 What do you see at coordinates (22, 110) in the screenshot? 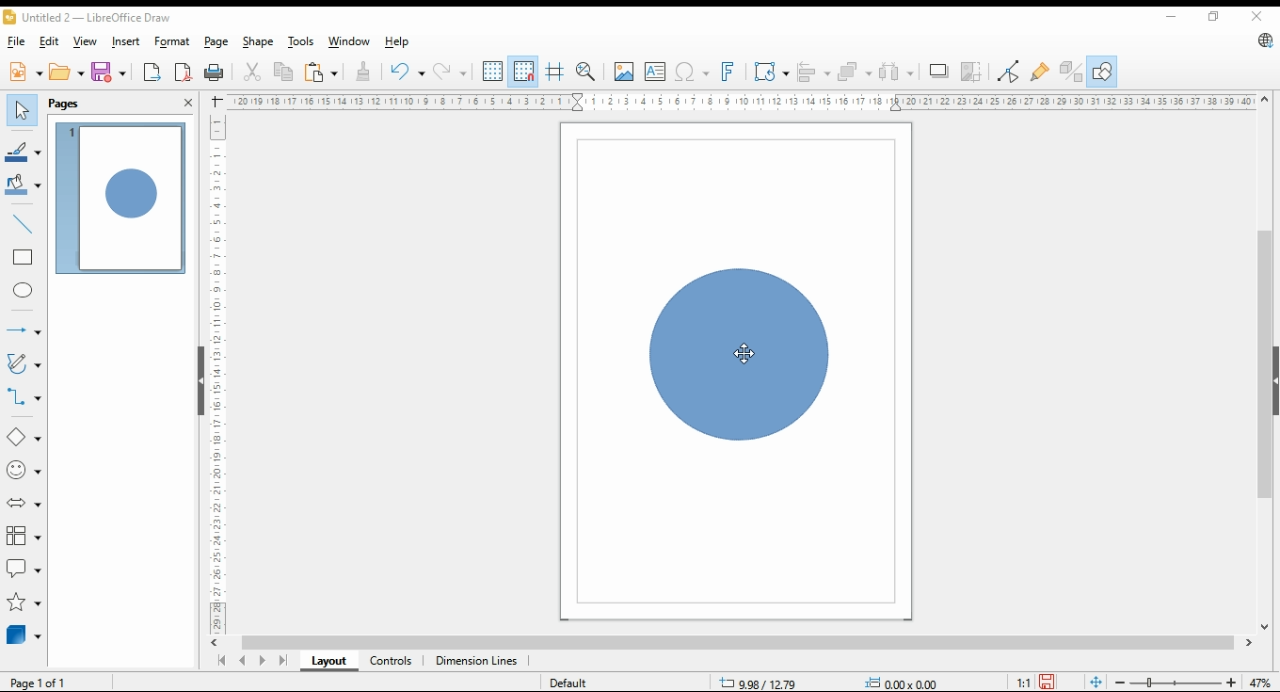
I see `select` at bounding box center [22, 110].